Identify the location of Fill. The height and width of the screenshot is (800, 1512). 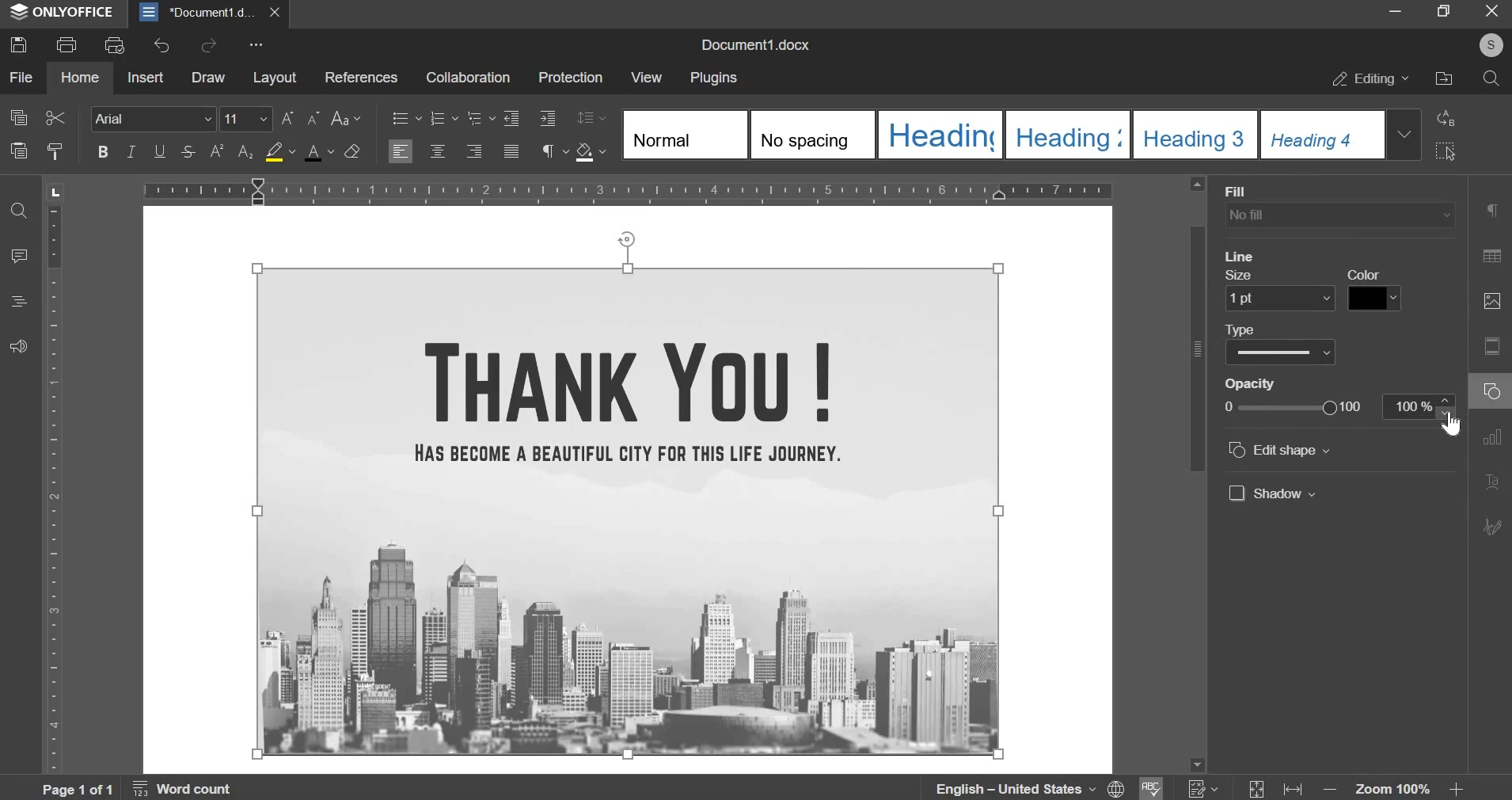
(1339, 206).